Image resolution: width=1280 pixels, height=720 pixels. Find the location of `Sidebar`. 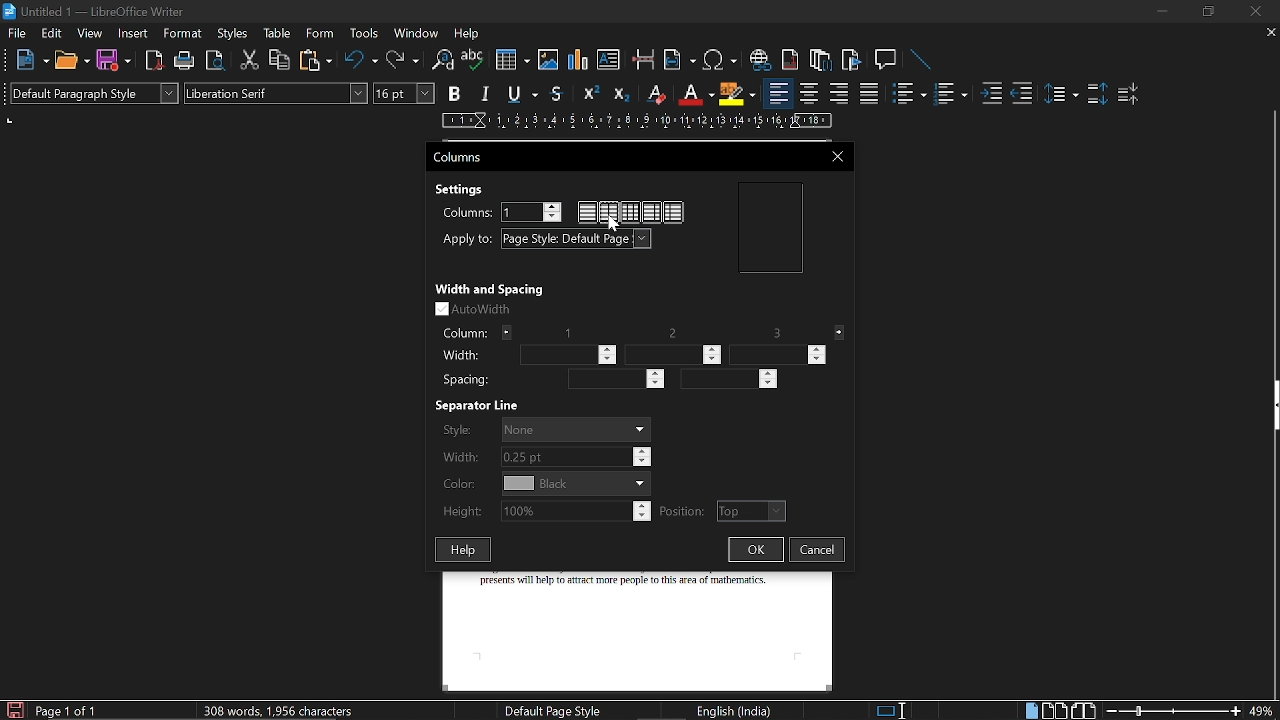

Sidebar is located at coordinates (1272, 407).